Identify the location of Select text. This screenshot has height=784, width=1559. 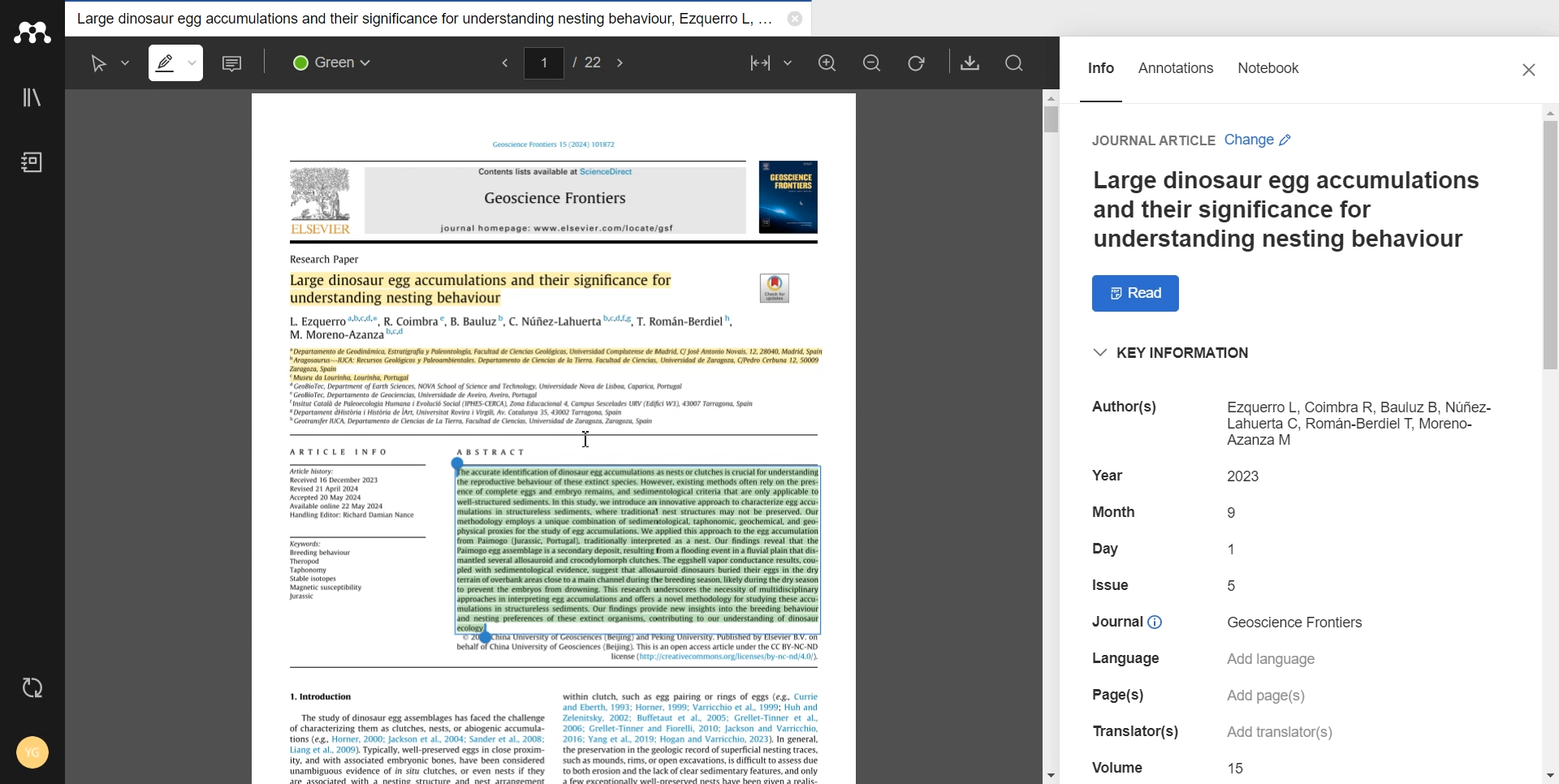
(106, 62).